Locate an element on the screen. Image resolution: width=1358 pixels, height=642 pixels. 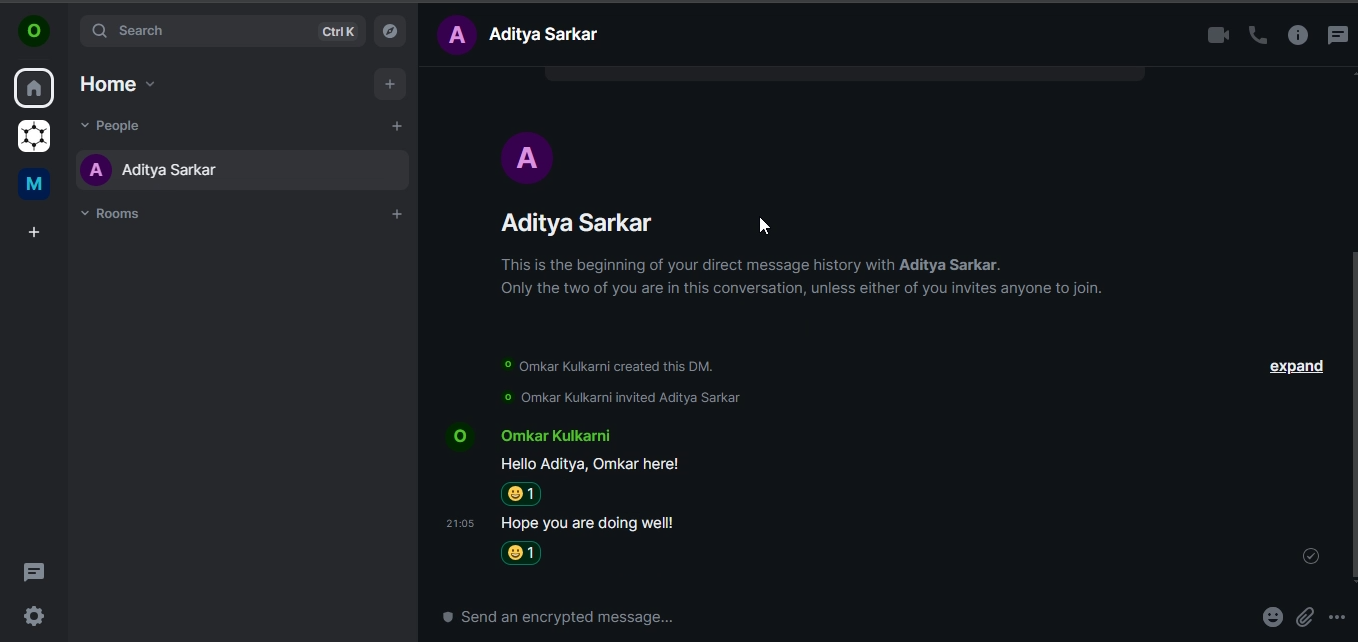
add rooms is located at coordinates (396, 214).